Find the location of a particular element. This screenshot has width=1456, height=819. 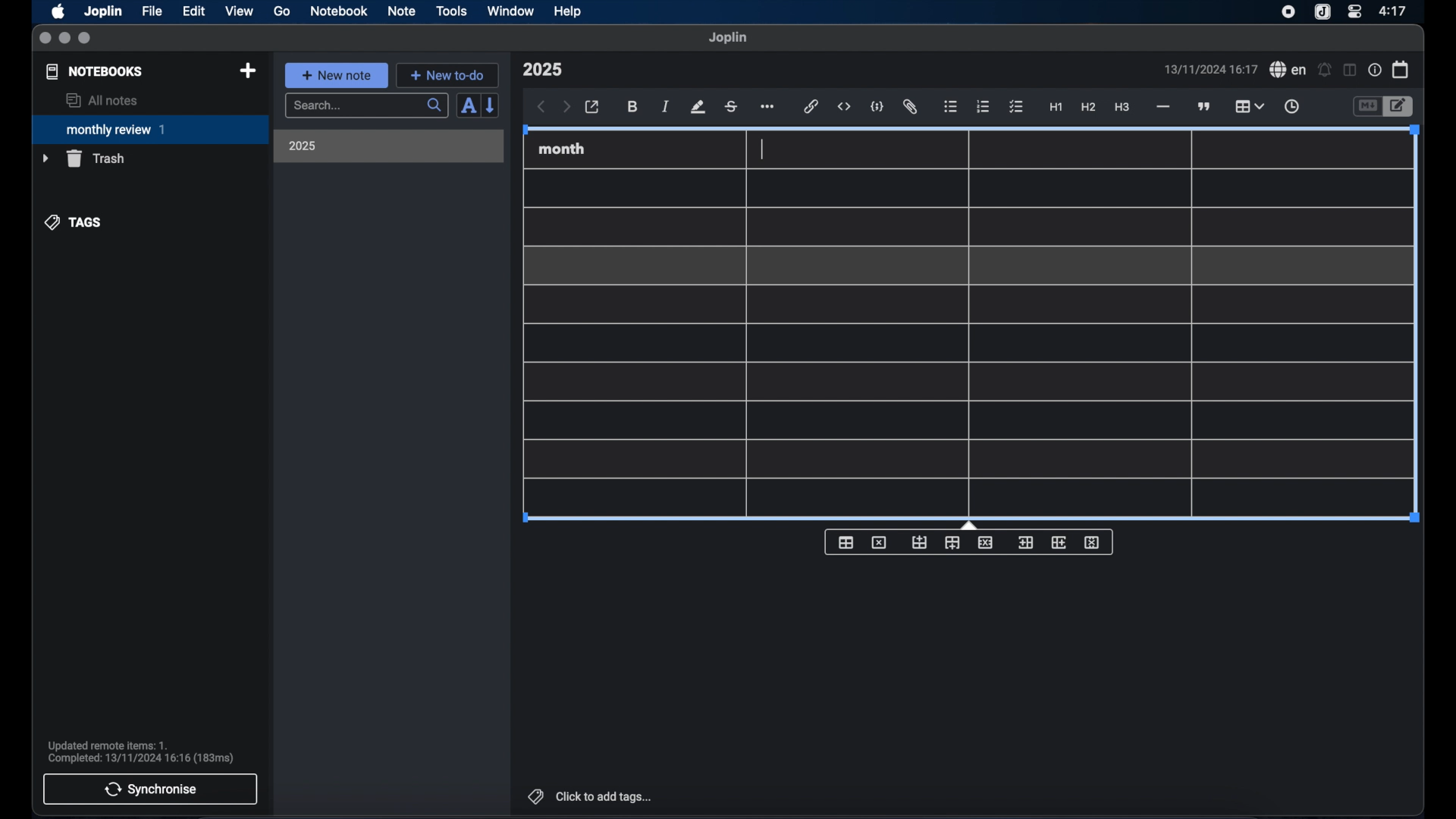

insert row after is located at coordinates (952, 543).